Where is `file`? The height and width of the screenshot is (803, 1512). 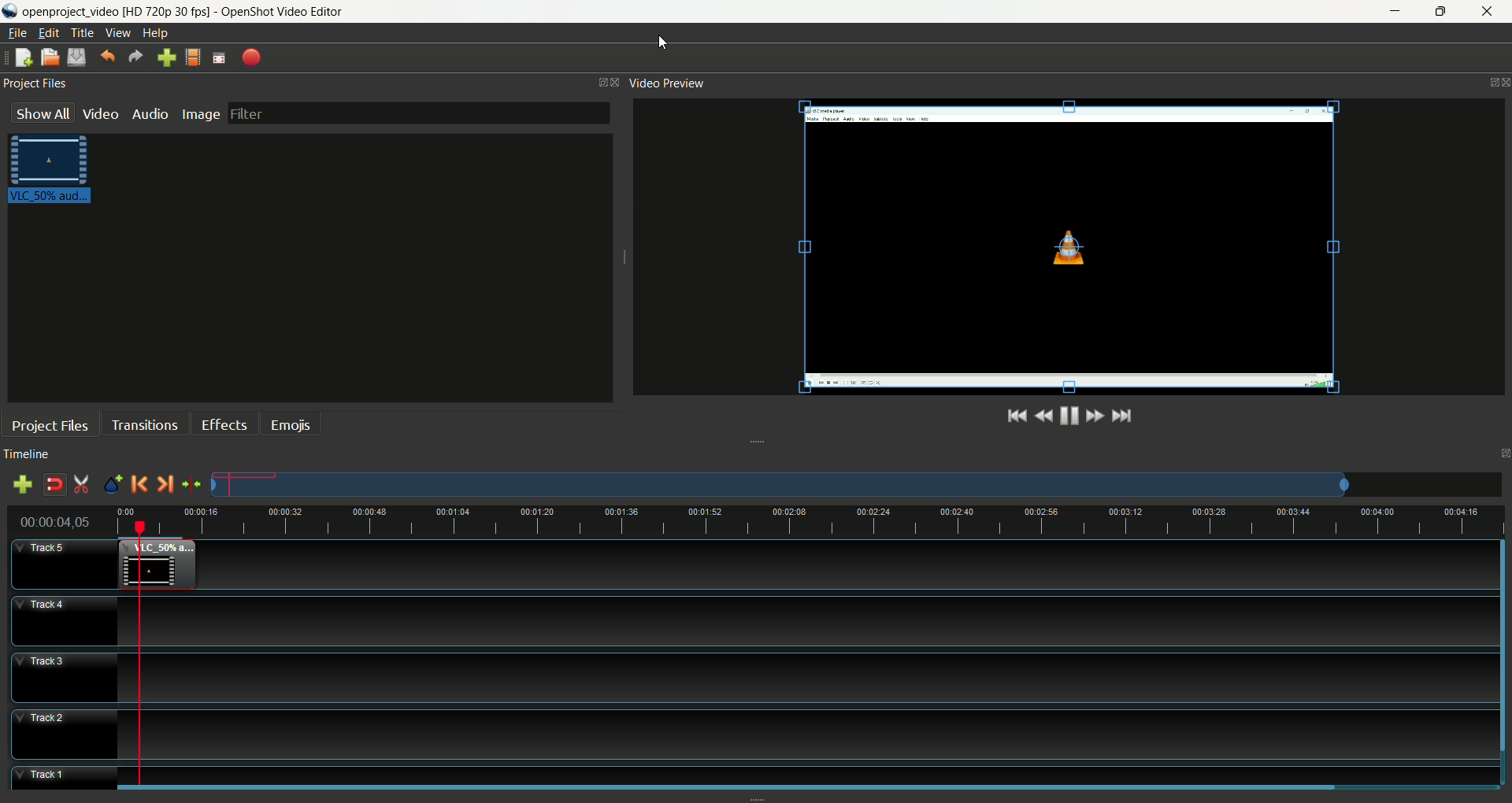 file is located at coordinates (17, 33).